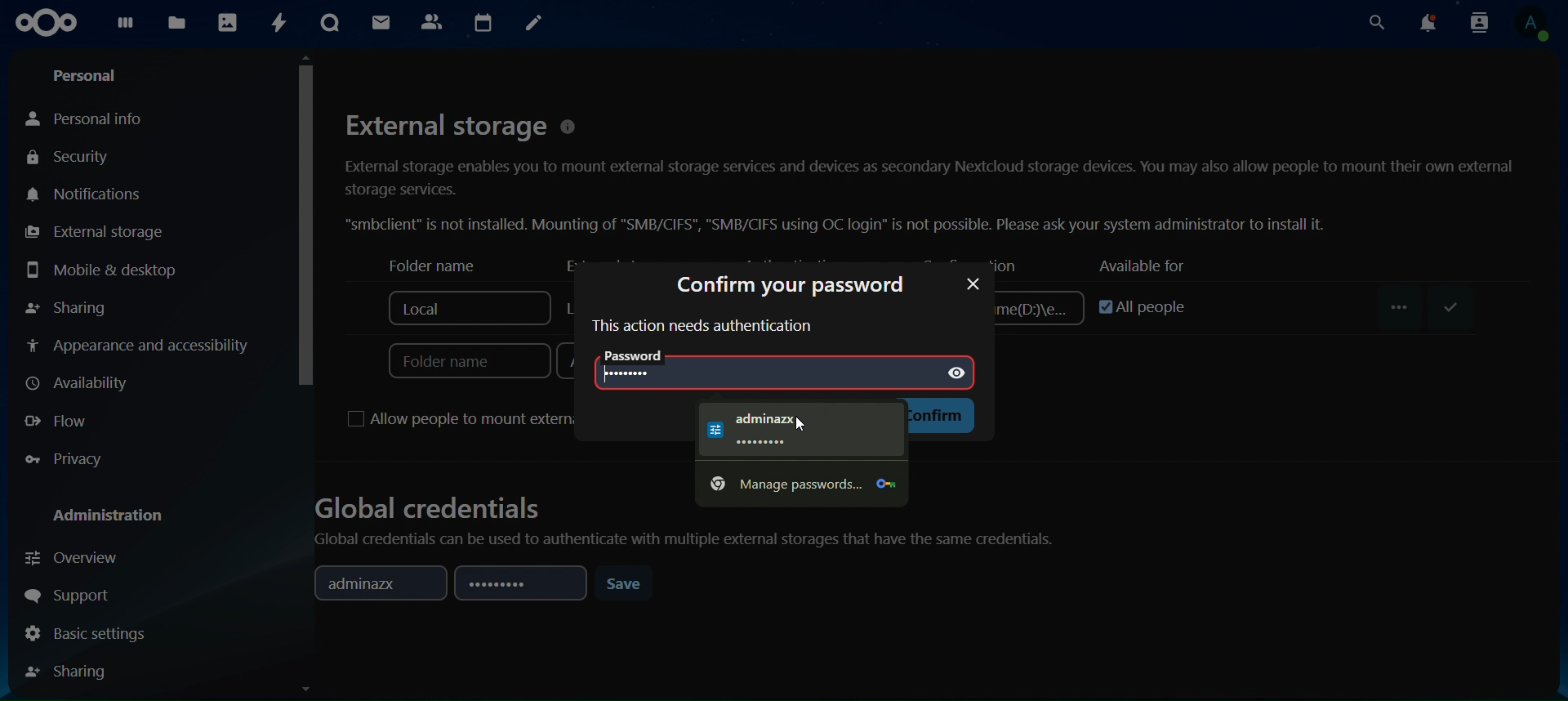 The height and width of the screenshot is (701, 1568). I want to click on manage password, so click(799, 485).